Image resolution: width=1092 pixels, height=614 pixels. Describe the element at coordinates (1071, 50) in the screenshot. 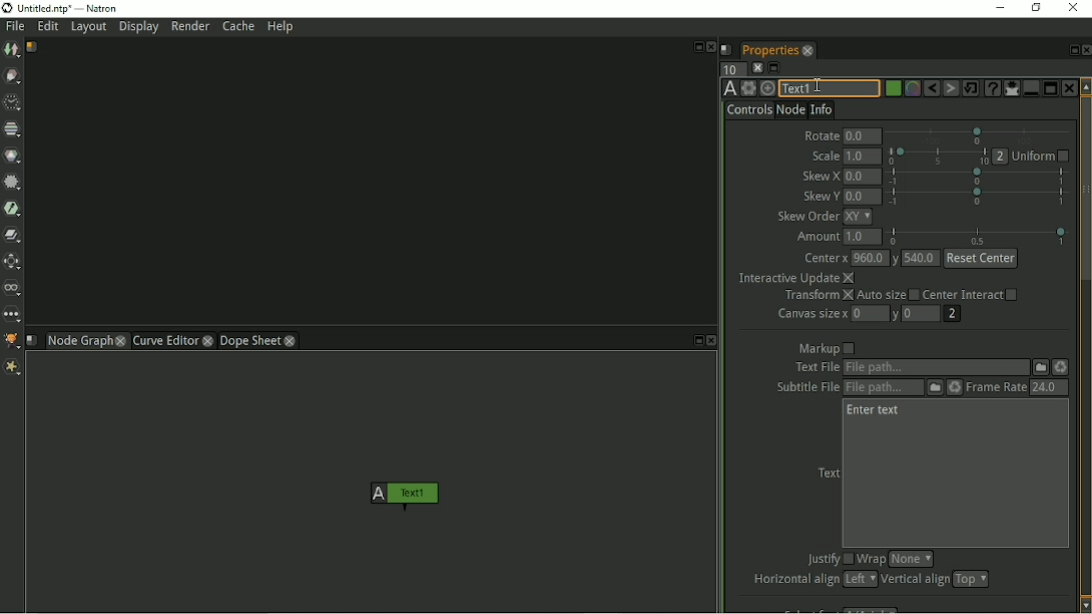

I see `Float pane` at that location.